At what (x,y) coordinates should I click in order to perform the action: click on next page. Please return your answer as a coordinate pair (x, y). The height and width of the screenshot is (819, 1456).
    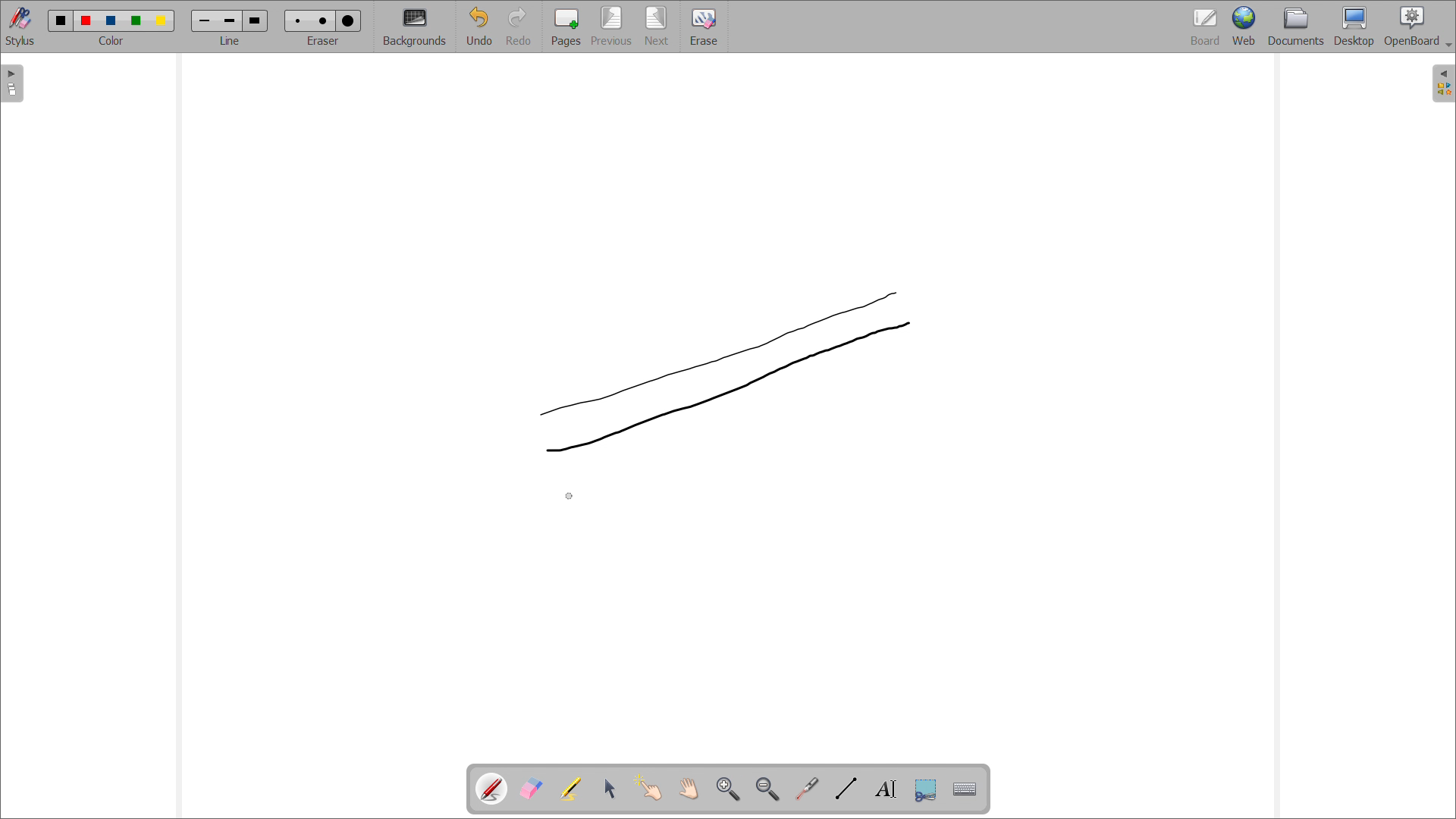
    Looking at the image, I should click on (657, 27).